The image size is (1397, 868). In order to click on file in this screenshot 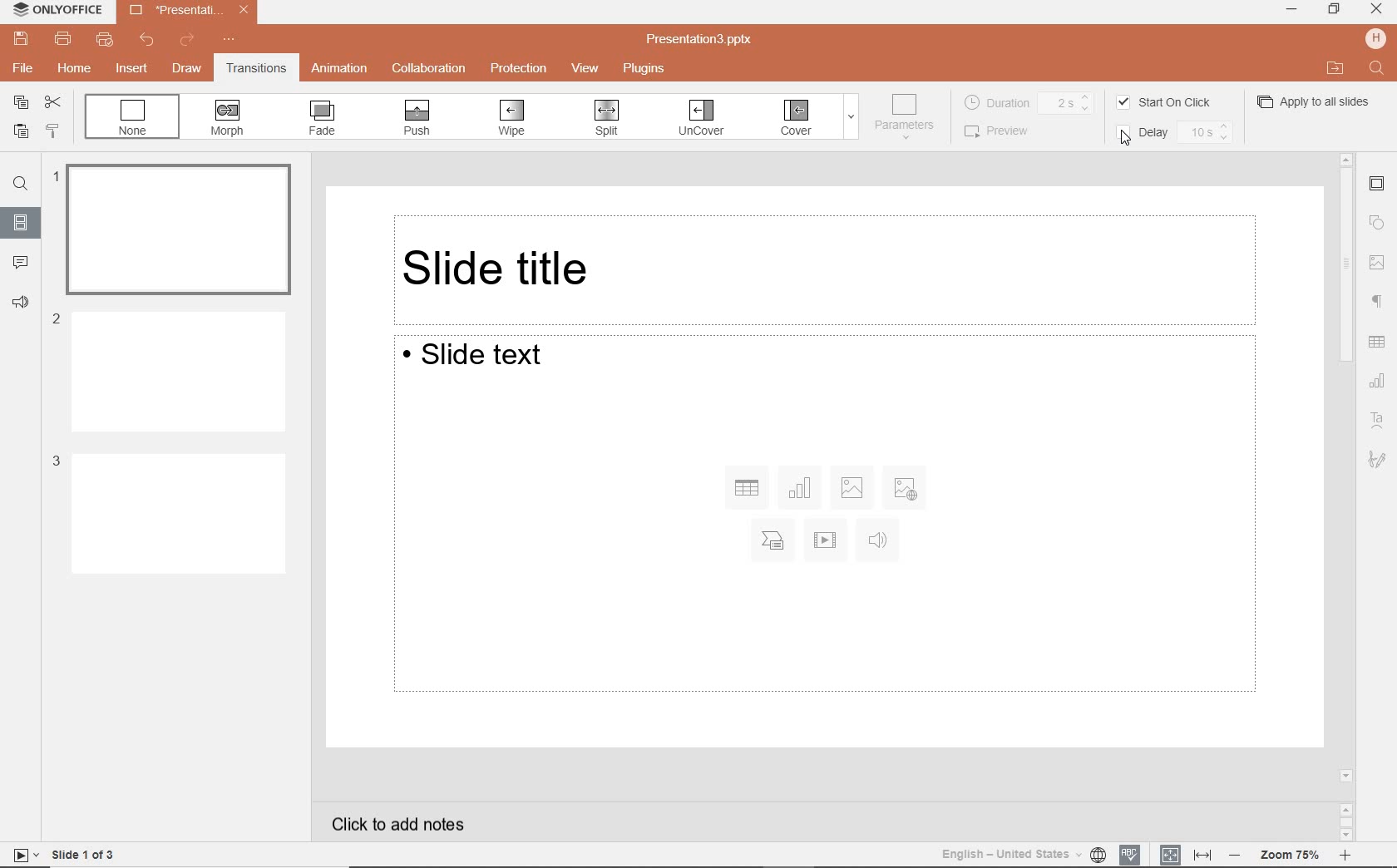, I will do `click(22, 67)`.